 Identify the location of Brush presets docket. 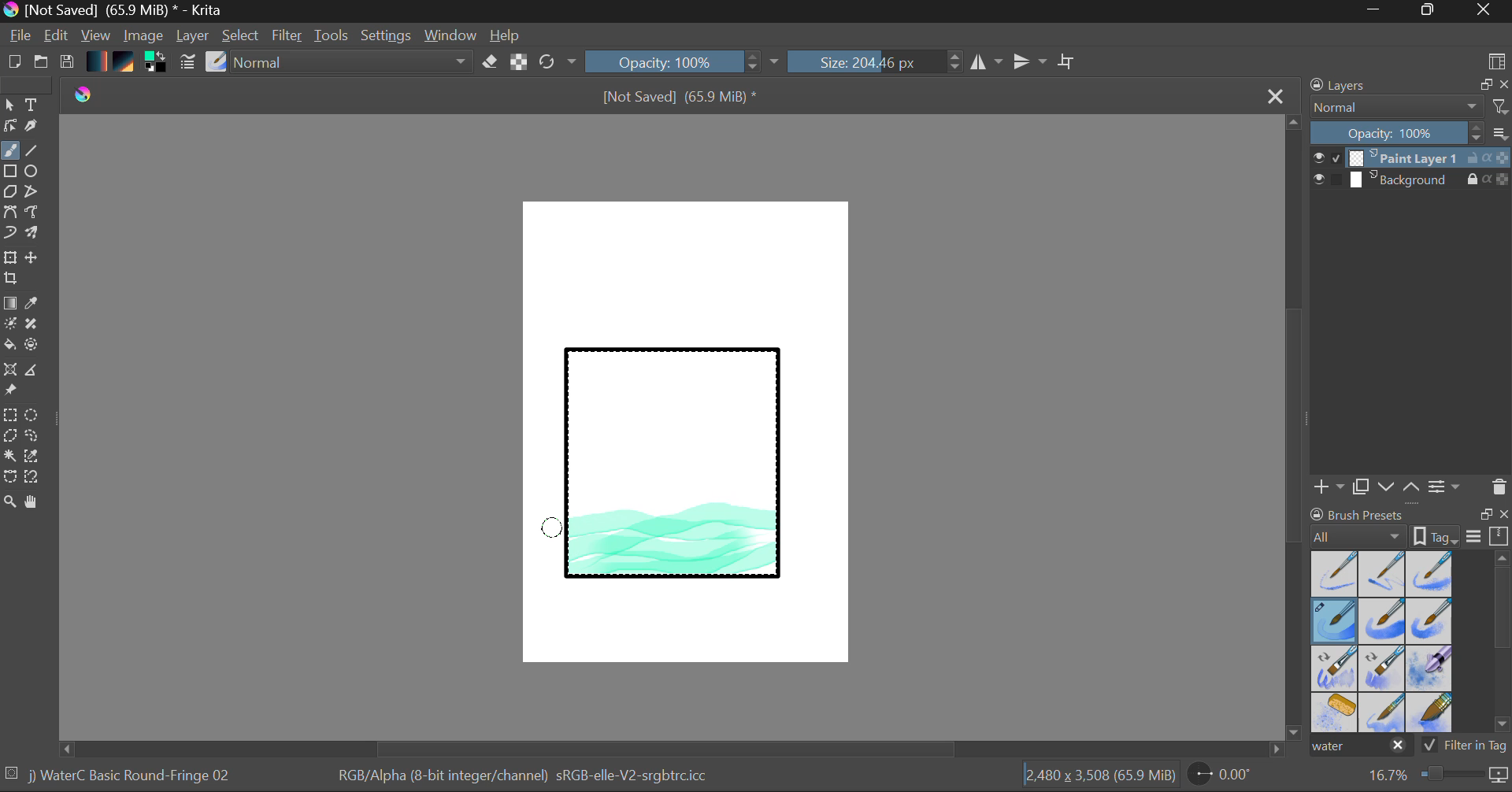
(1410, 525).